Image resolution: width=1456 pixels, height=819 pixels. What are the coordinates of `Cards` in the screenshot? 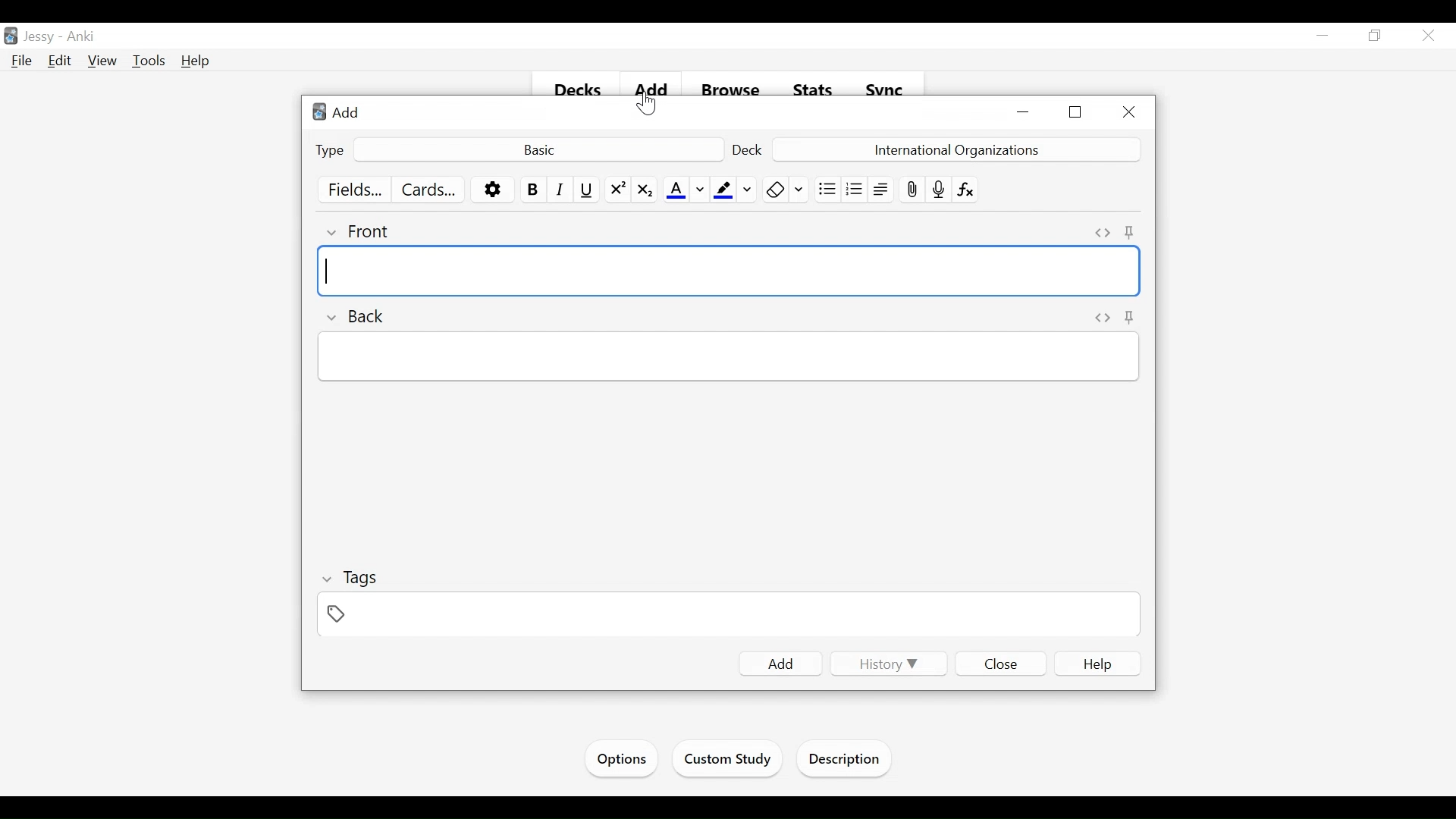 It's located at (426, 189).